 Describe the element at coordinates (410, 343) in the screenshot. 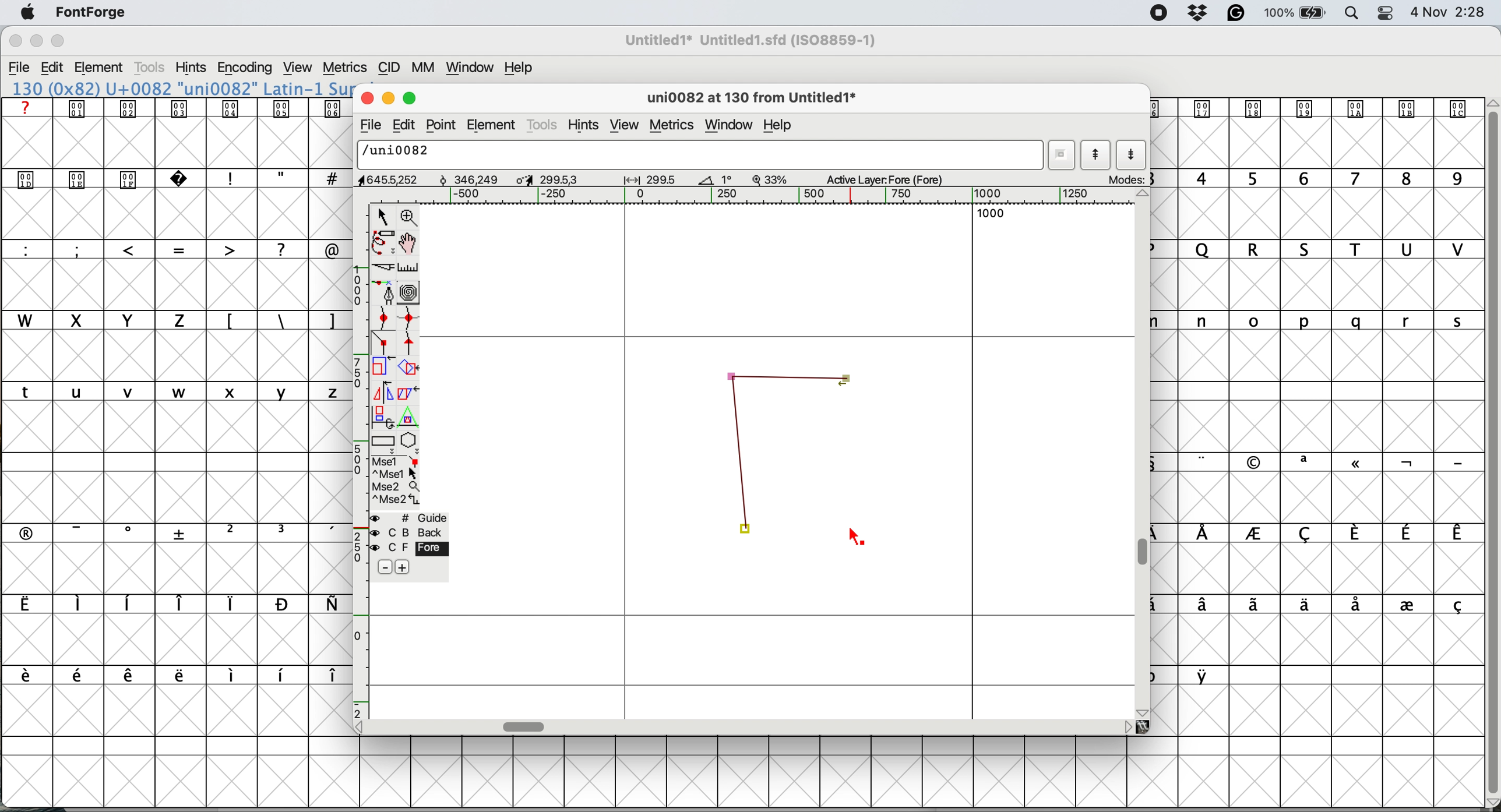

I see `add a tangent point` at that location.